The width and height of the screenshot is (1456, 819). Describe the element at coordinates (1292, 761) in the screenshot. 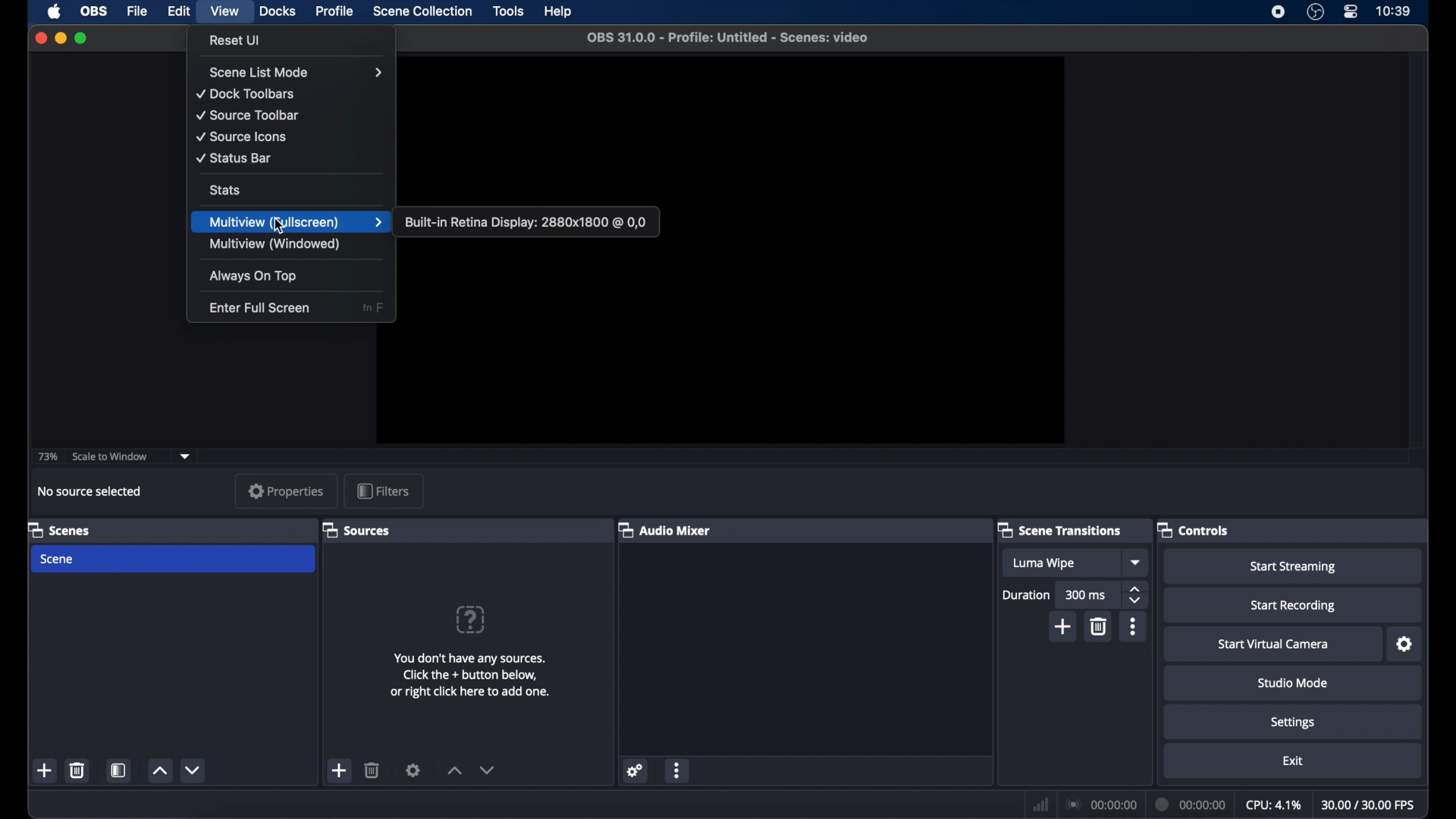

I see `exit` at that location.